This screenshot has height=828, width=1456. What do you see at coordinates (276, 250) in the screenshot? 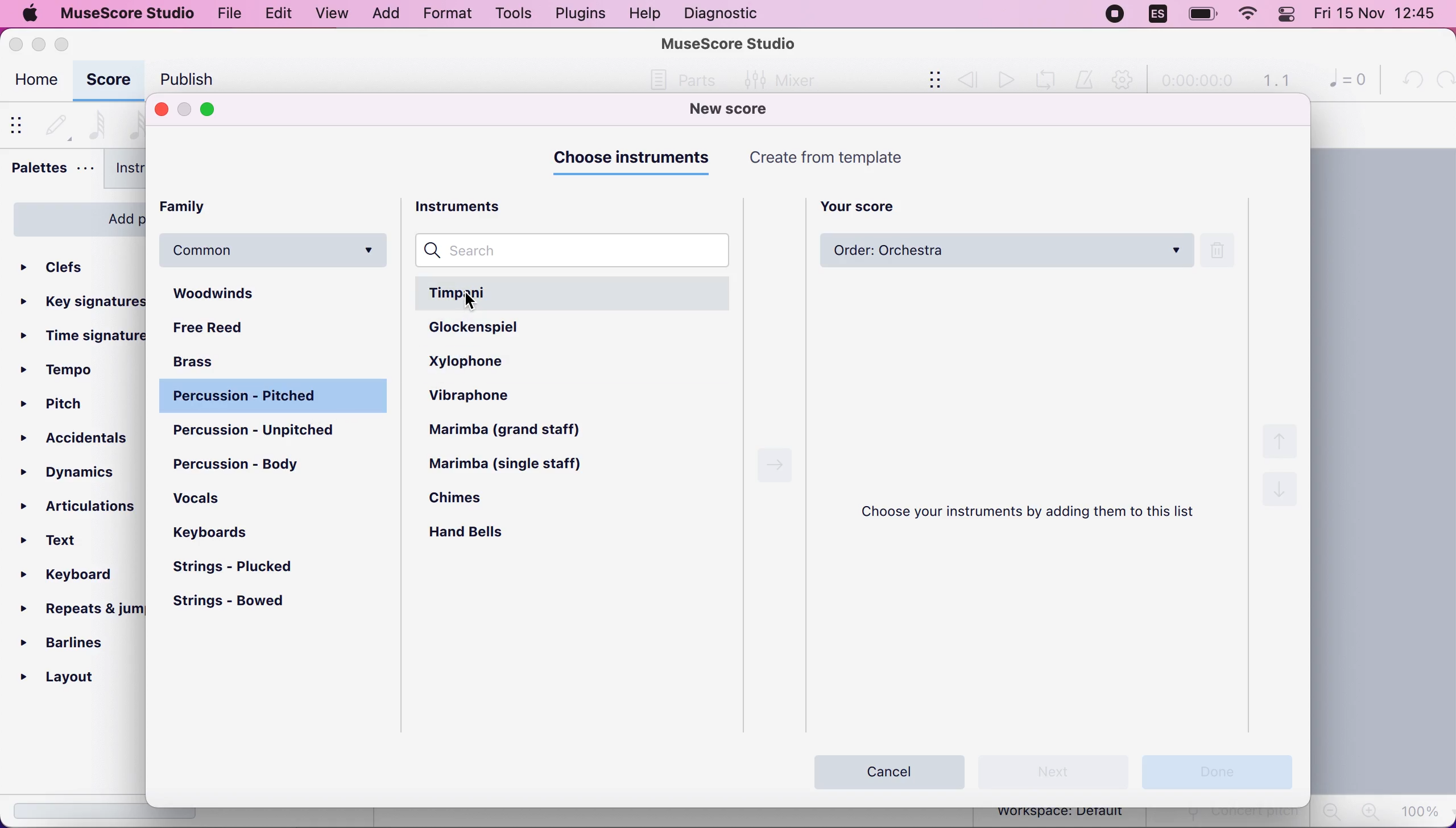
I see `common` at bounding box center [276, 250].